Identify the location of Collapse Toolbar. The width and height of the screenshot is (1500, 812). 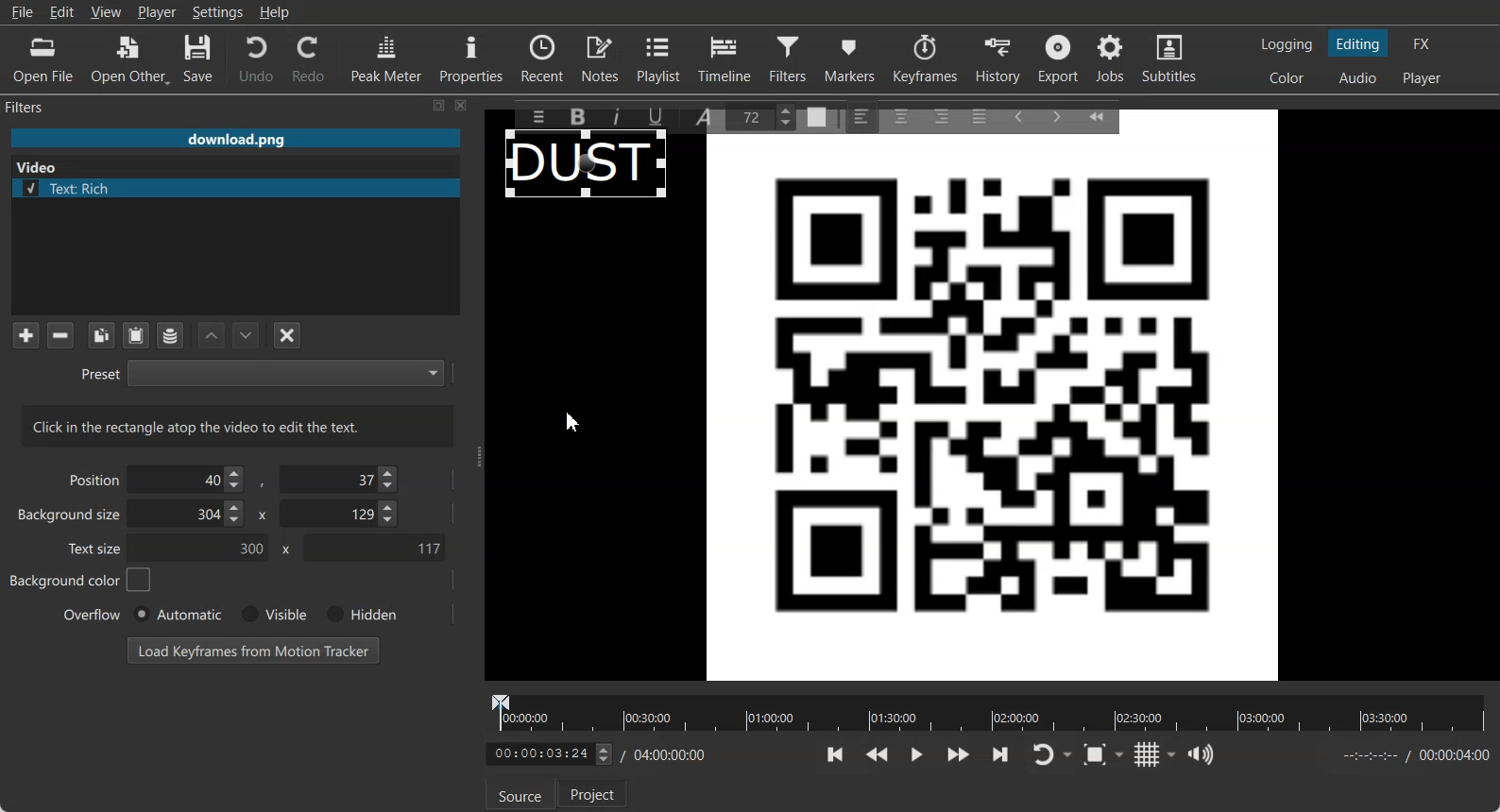
(1105, 113).